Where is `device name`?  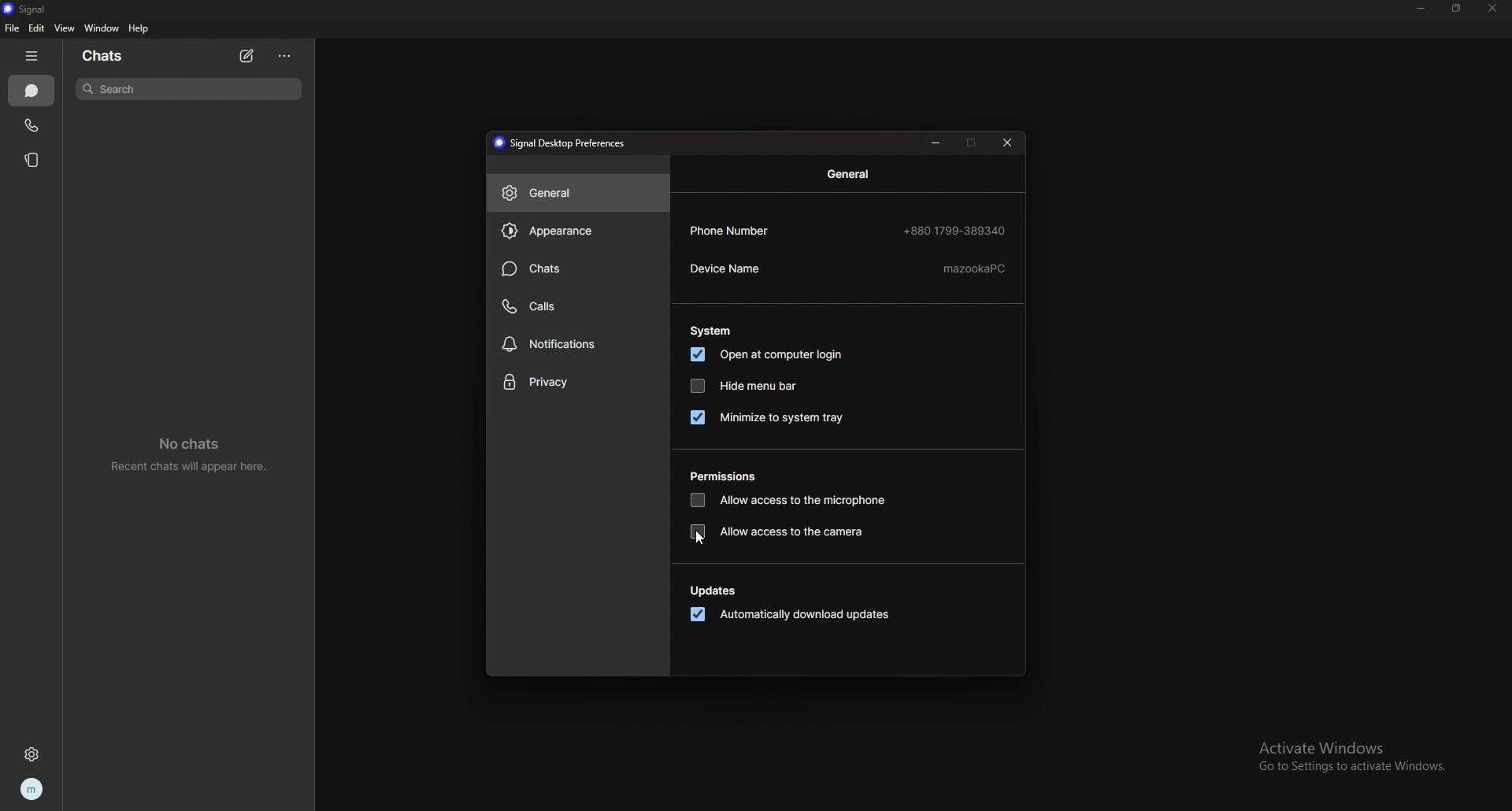
device name is located at coordinates (850, 269).